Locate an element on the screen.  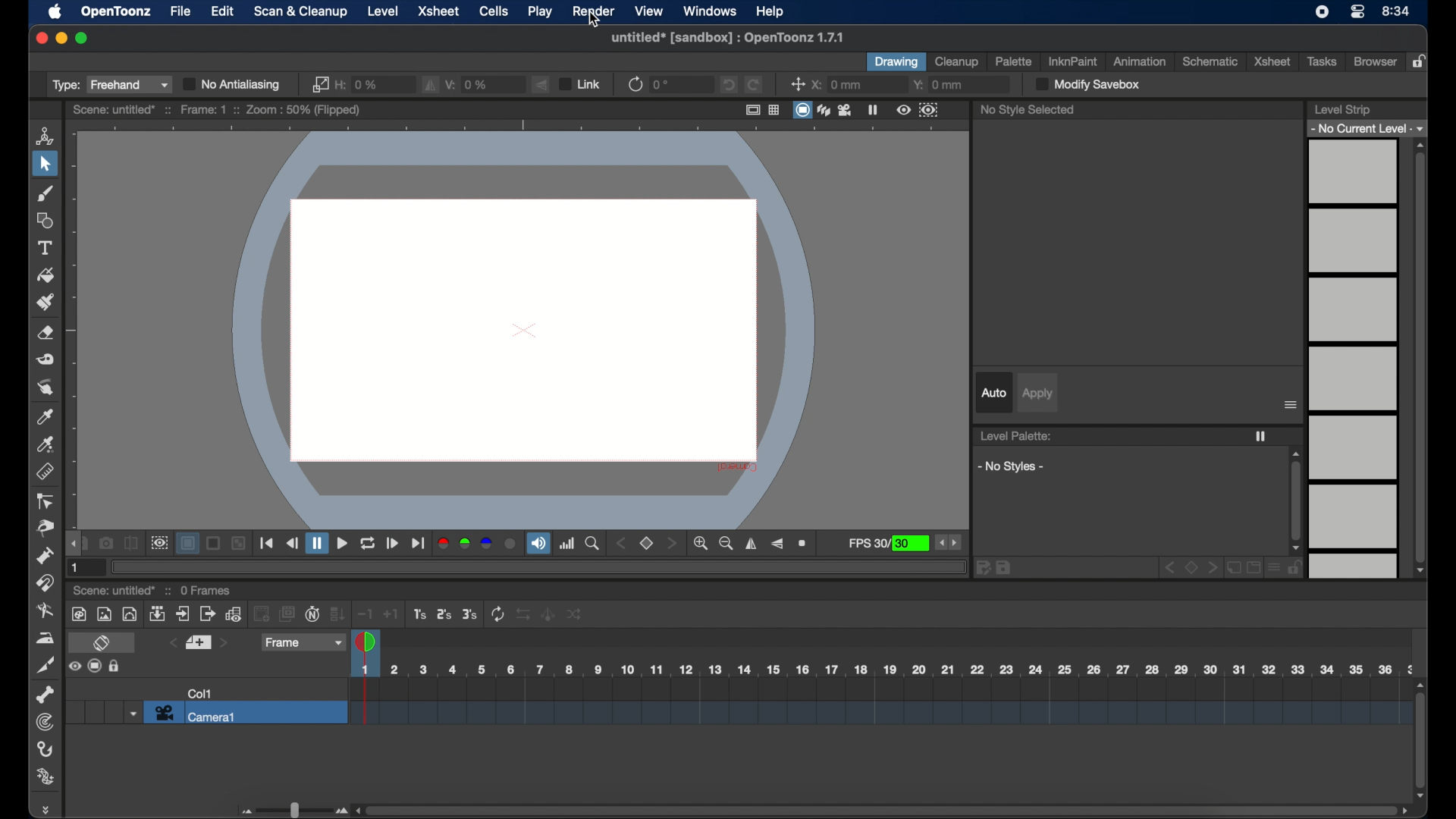
 is located at coordinates (234, 613).